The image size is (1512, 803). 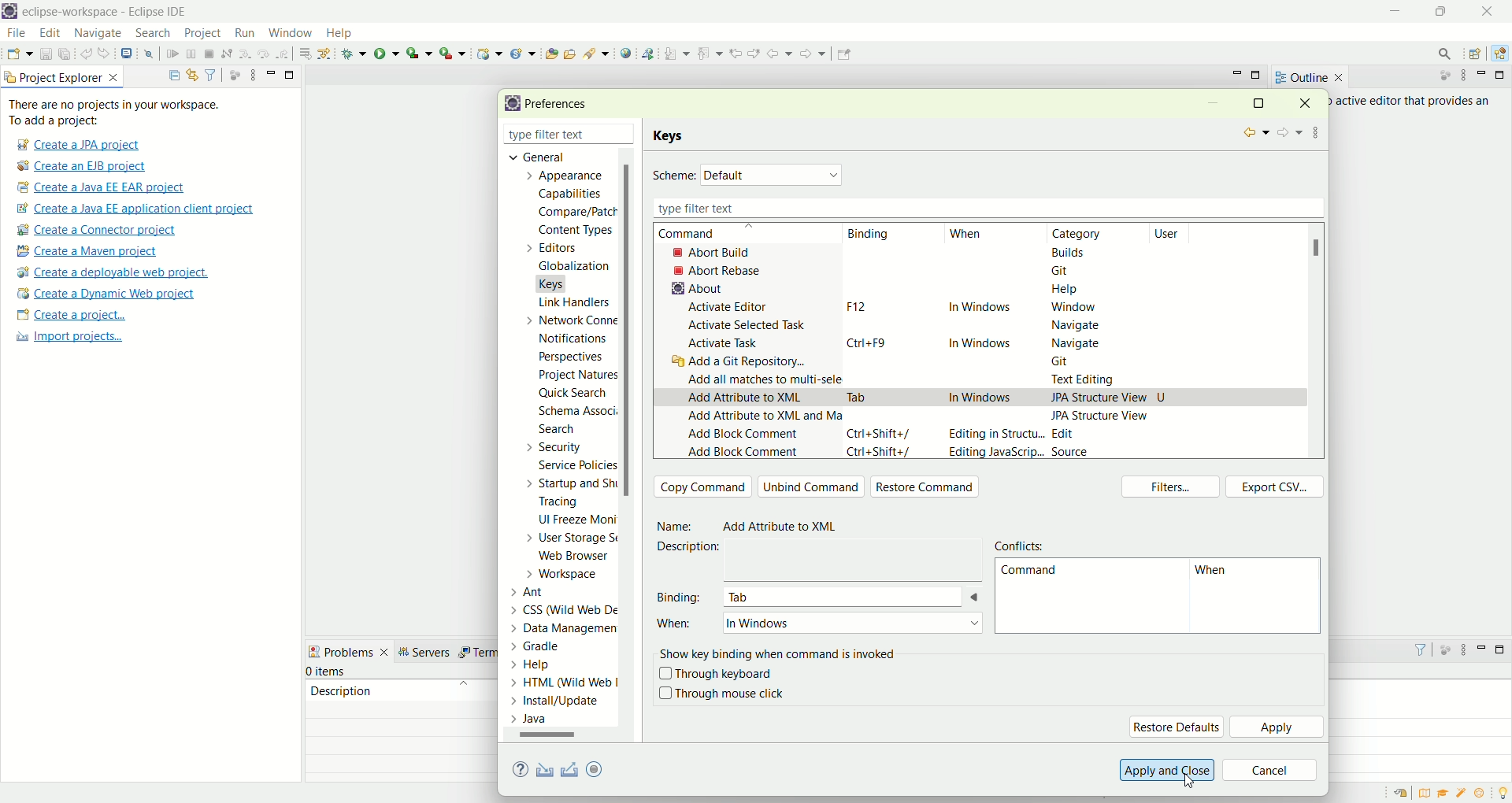 What do you see at coordinates (557, 431) in the screenshot?
I see `search` at bounding box center [557, 431].